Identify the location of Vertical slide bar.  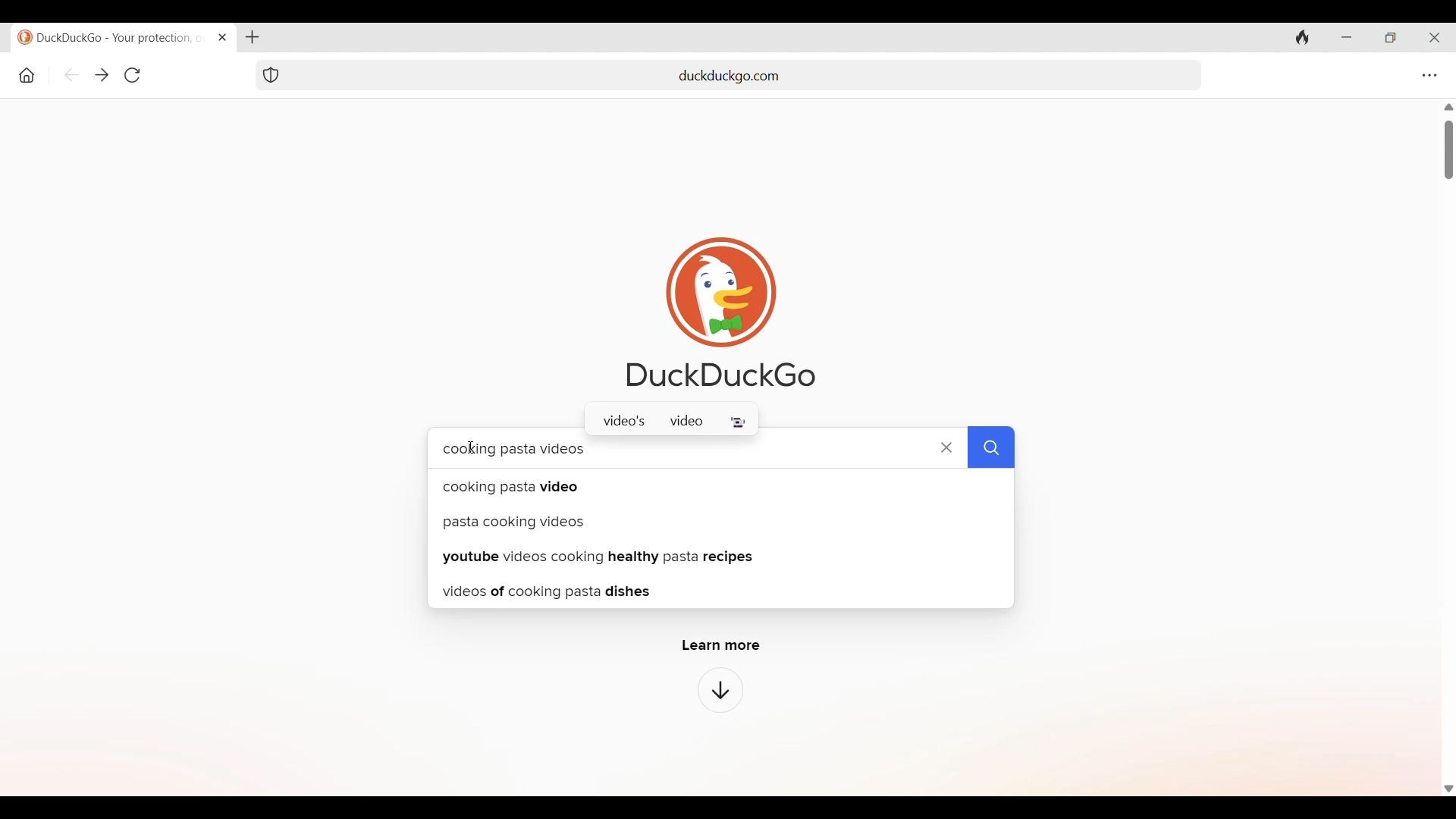
(1448, 150).